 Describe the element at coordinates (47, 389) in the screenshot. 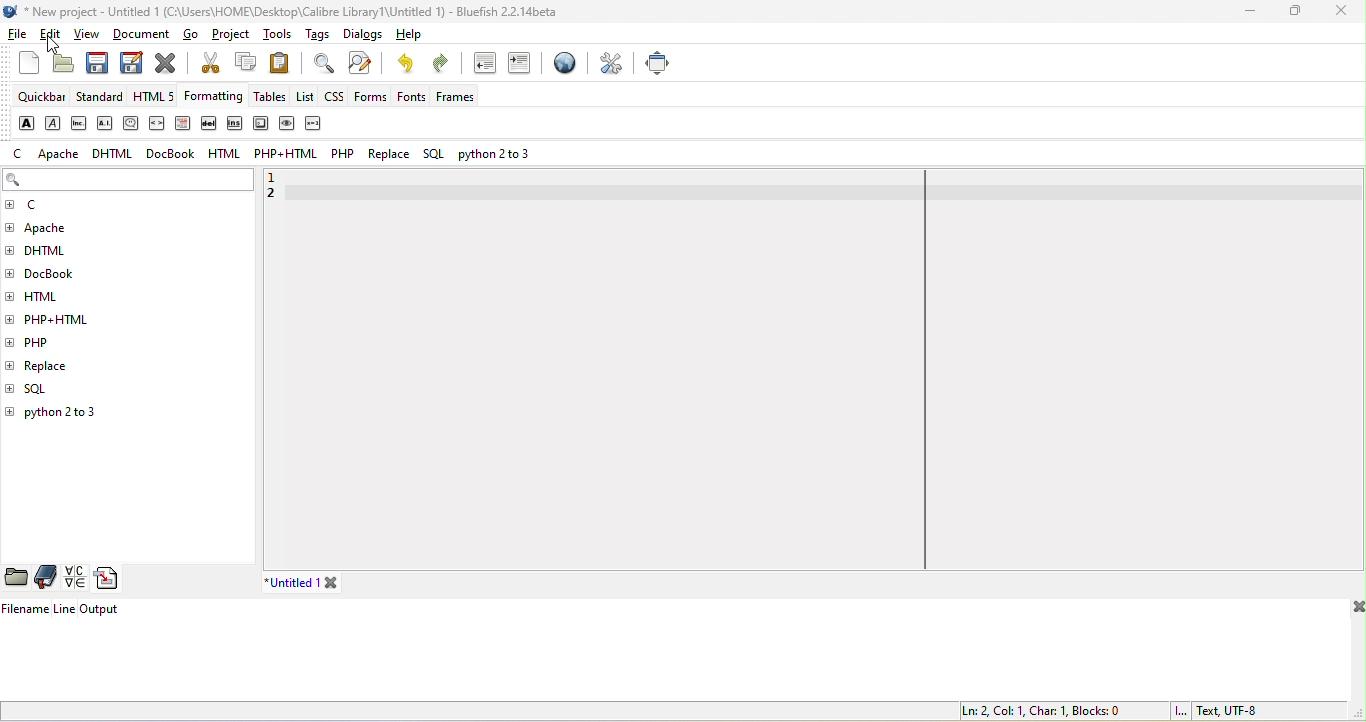

I see `sql` at that location.